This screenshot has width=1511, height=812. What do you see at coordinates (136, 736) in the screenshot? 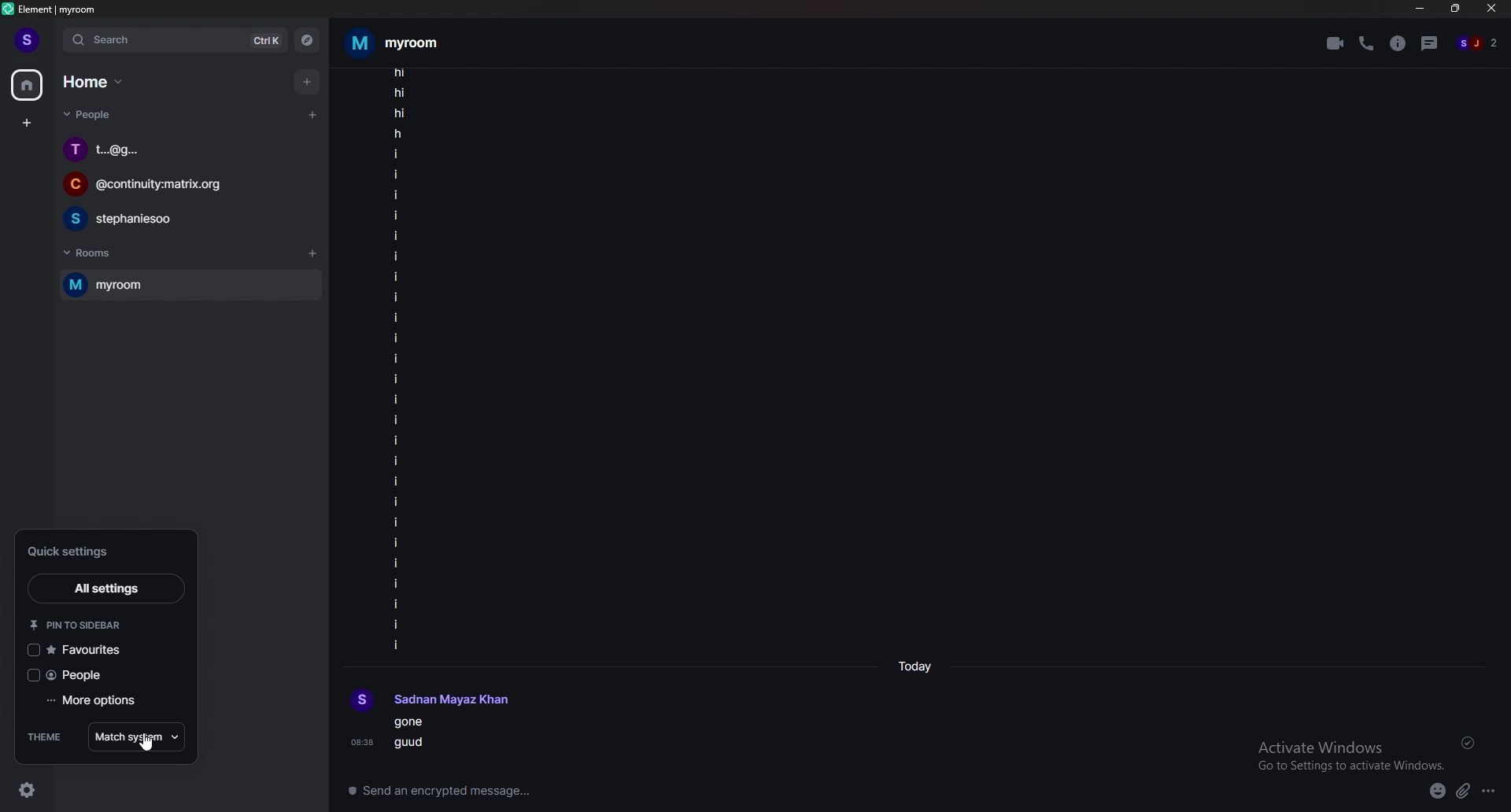
I see `theme selection` at bounding box center [136, 736].